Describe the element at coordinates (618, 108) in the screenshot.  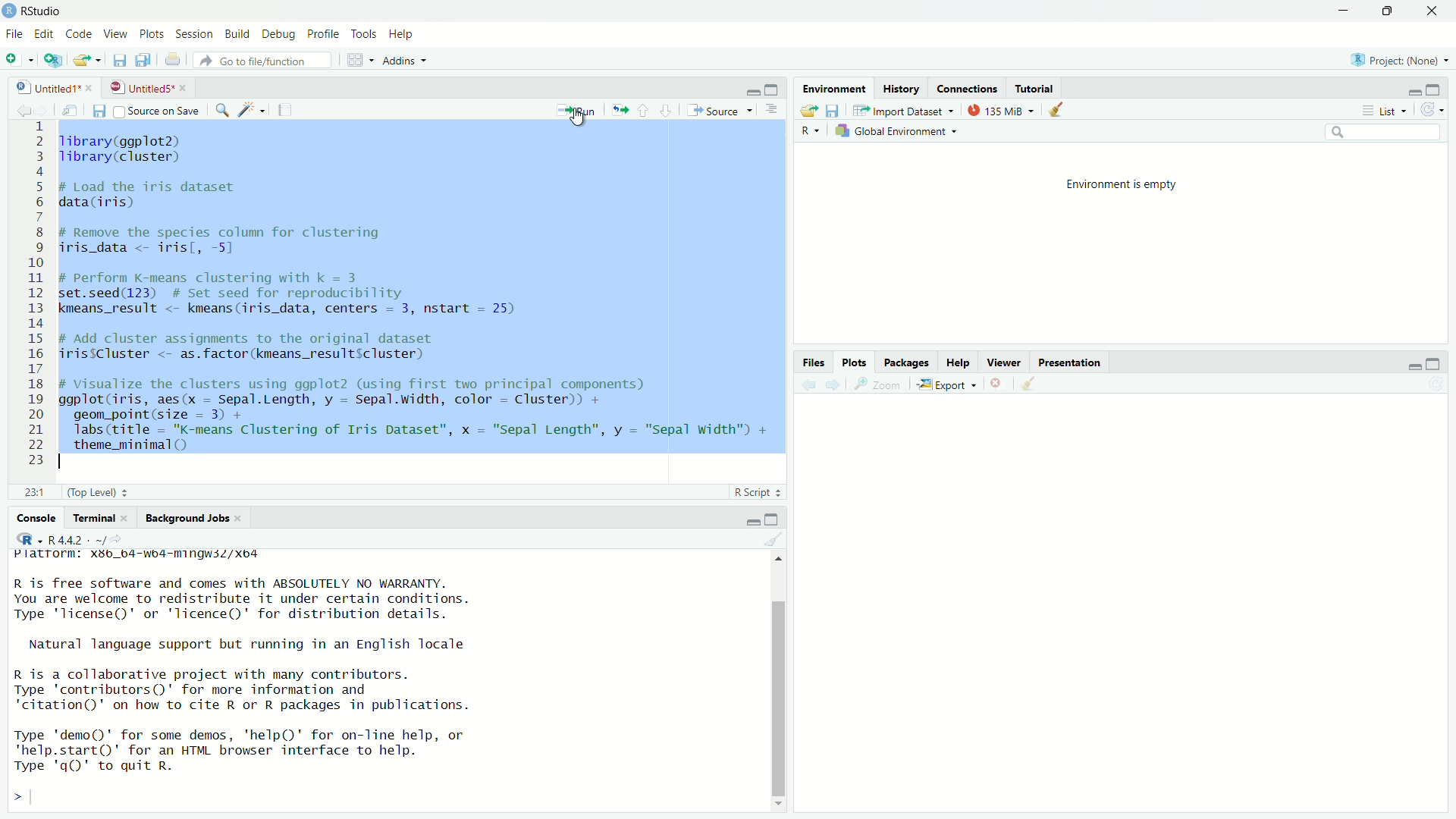
I see `re-run the previous code region` at that location.